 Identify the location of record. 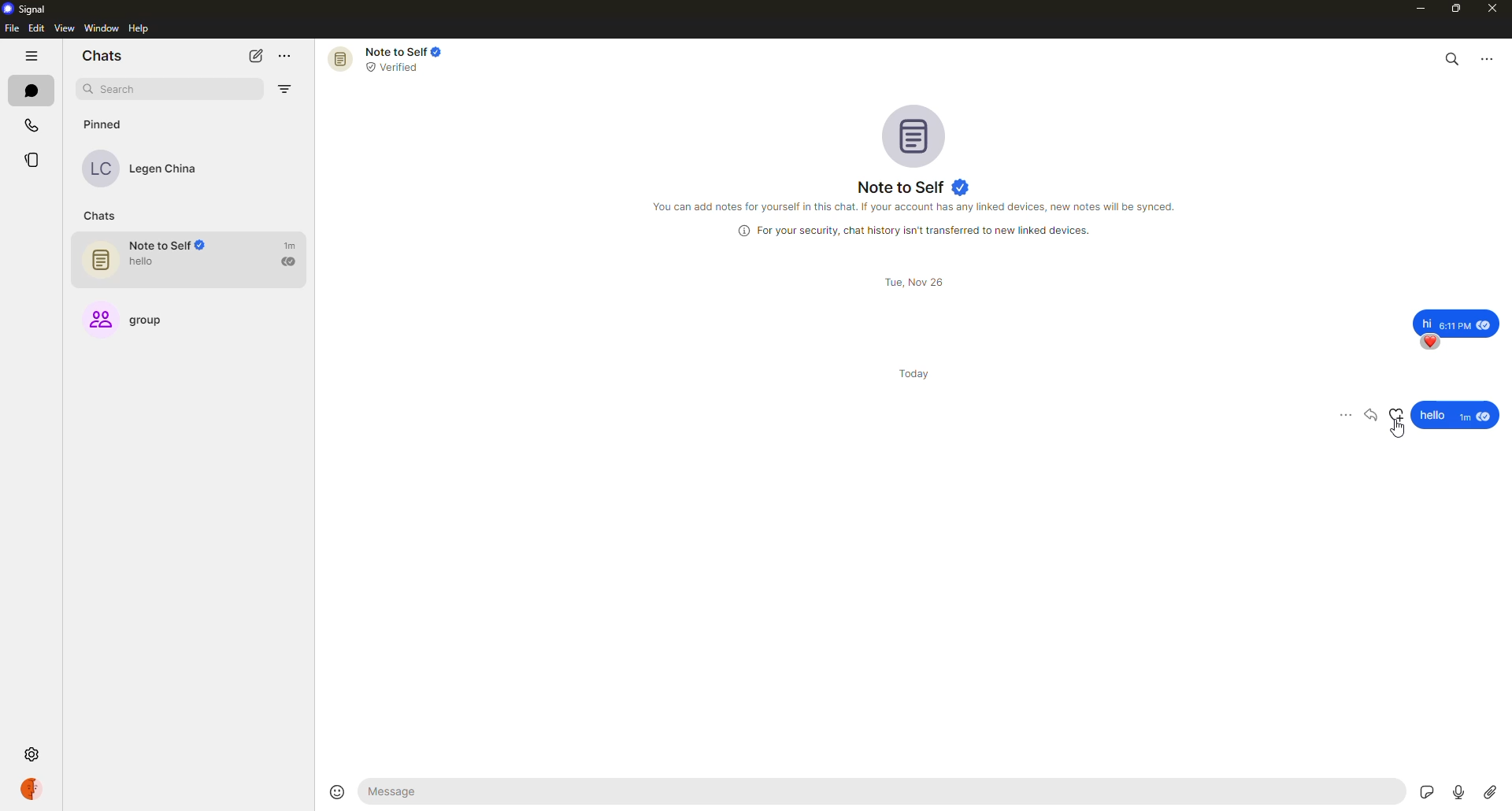
(1455, 788).